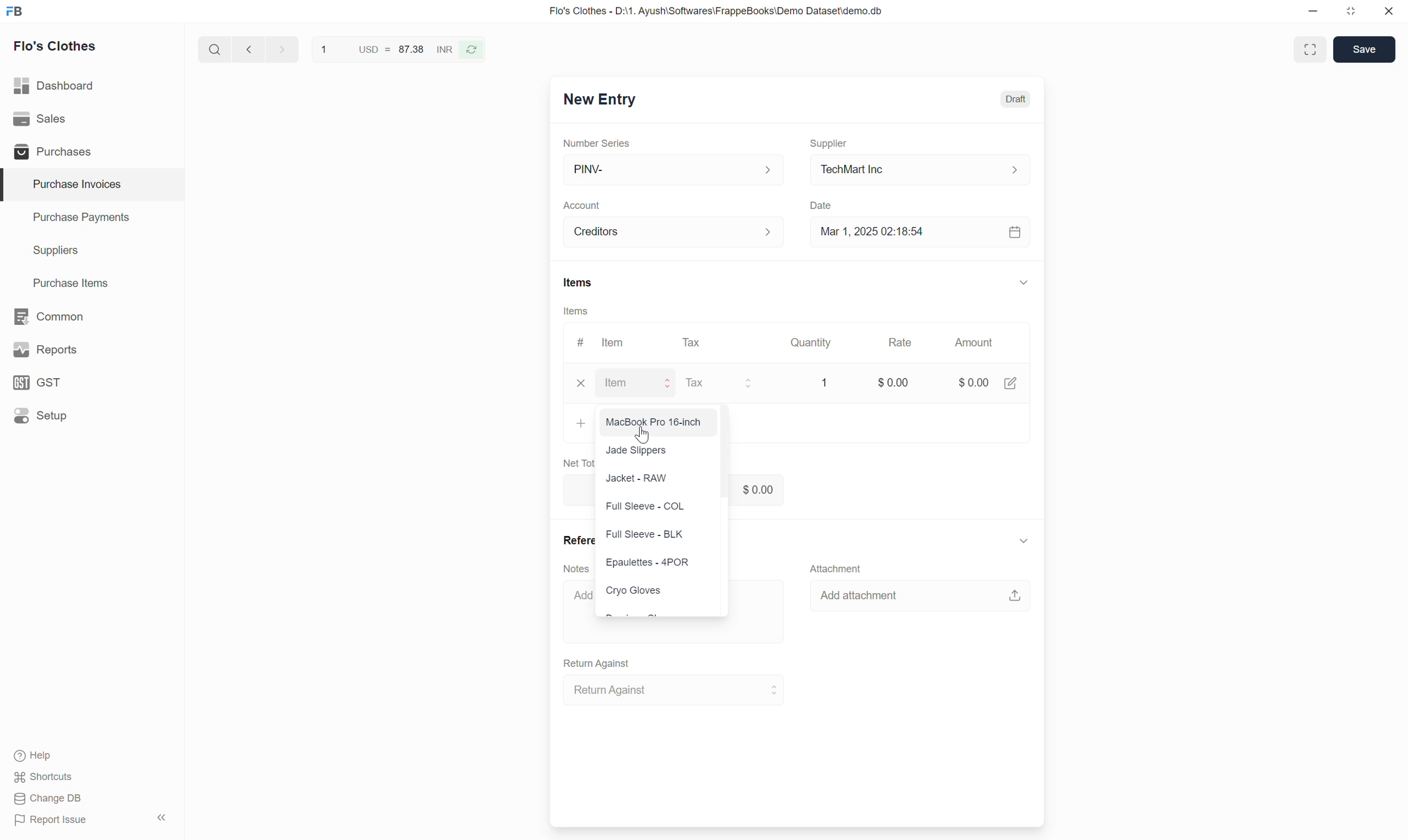  I want to click on PINV-, so click(673, 170).